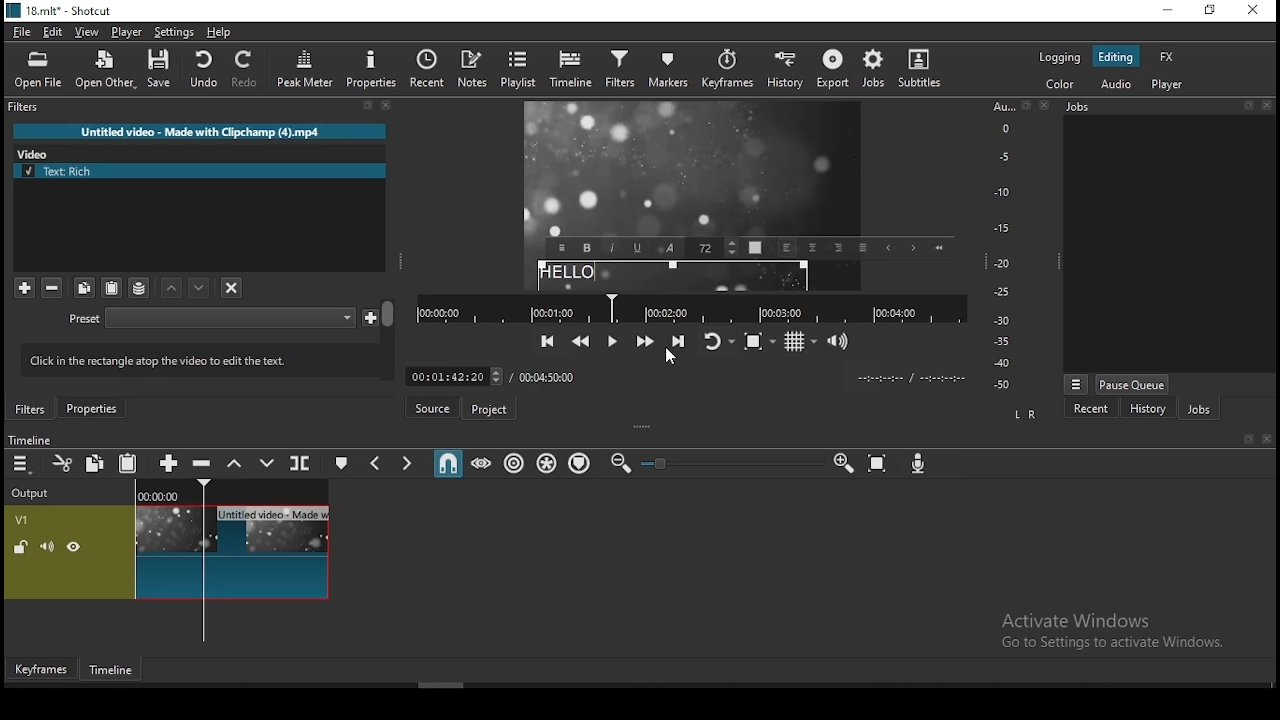 Image resolution: width=1280 pixels, height=720 pixels. What do you see at coordinates (173, 288) in the screenshot?
I see `move filter down` at bounding box center [173, 288].